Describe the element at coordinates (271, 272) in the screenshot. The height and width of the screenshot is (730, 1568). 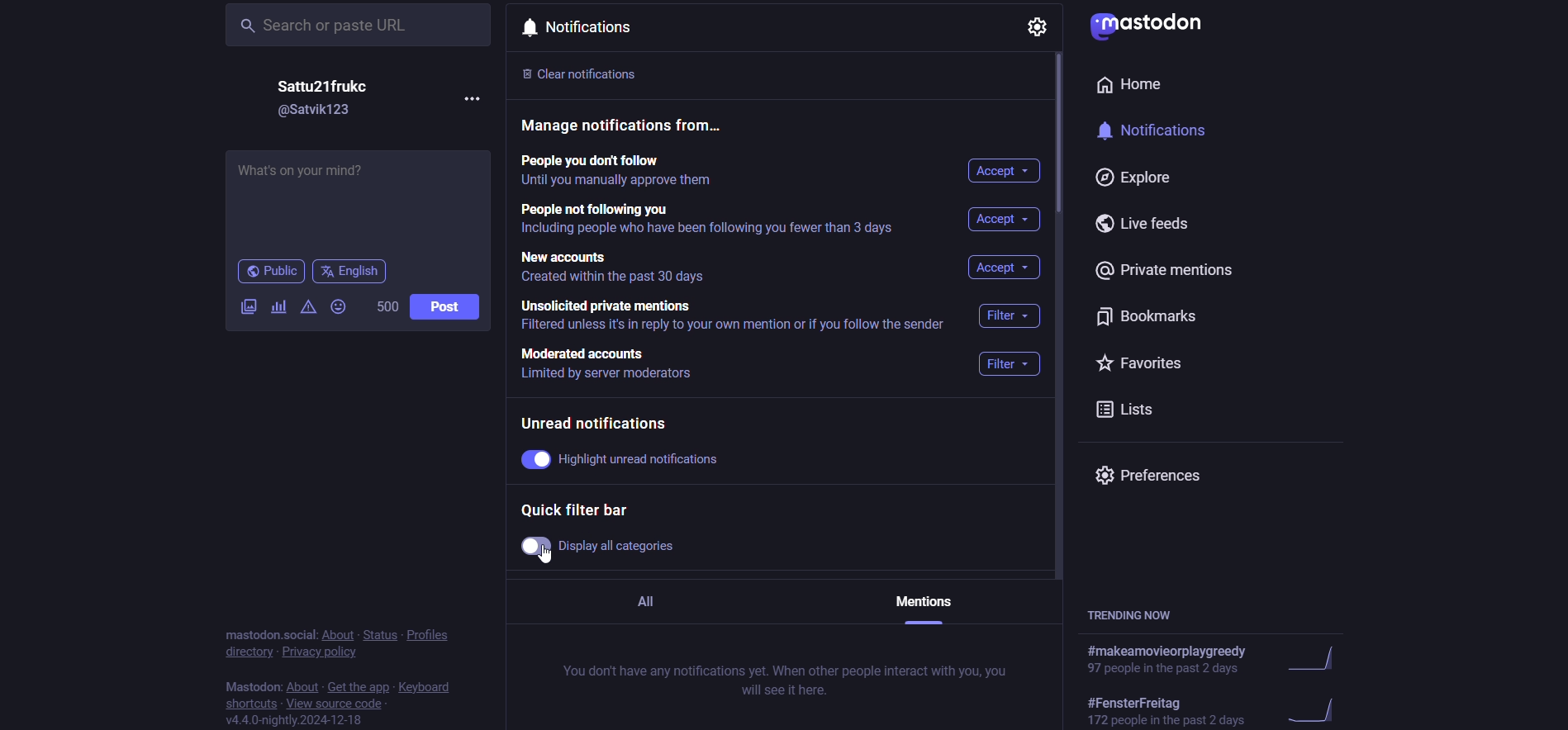
I see `Public` at that location.